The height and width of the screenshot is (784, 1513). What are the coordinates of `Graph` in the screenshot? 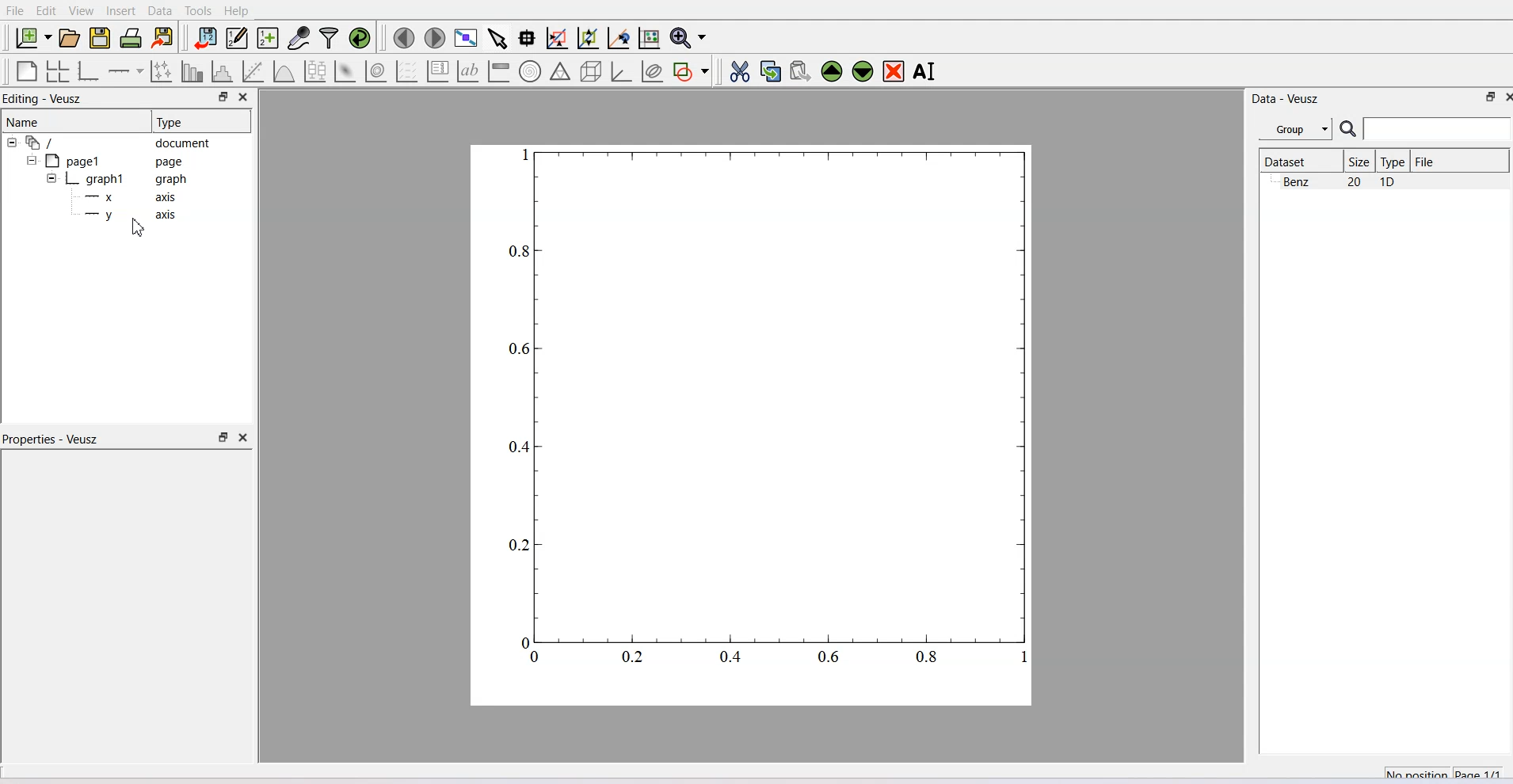 It's located at (128, 178).